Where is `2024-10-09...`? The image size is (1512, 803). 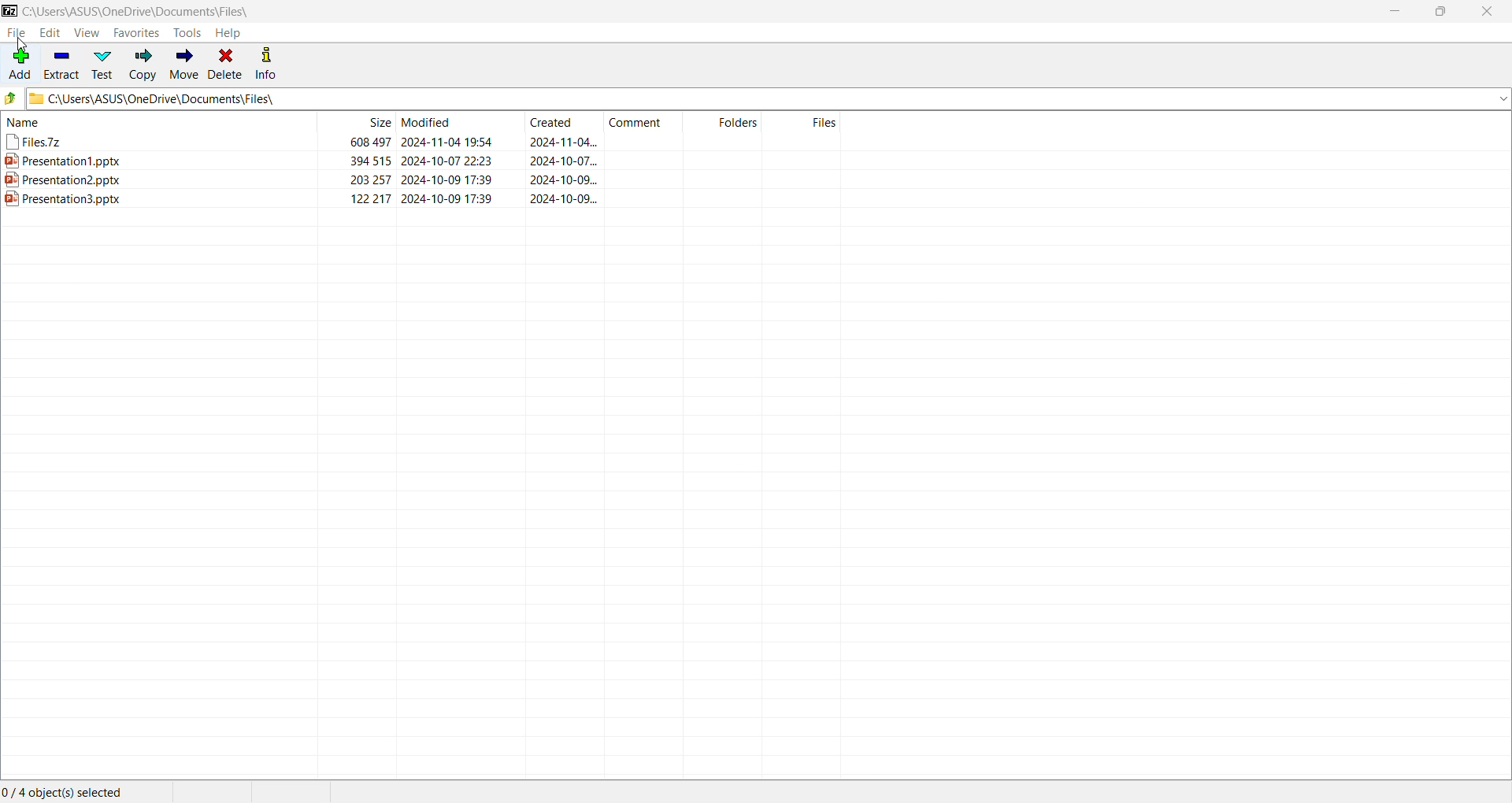
2024-10-09... is located at coordinates (565, 179).